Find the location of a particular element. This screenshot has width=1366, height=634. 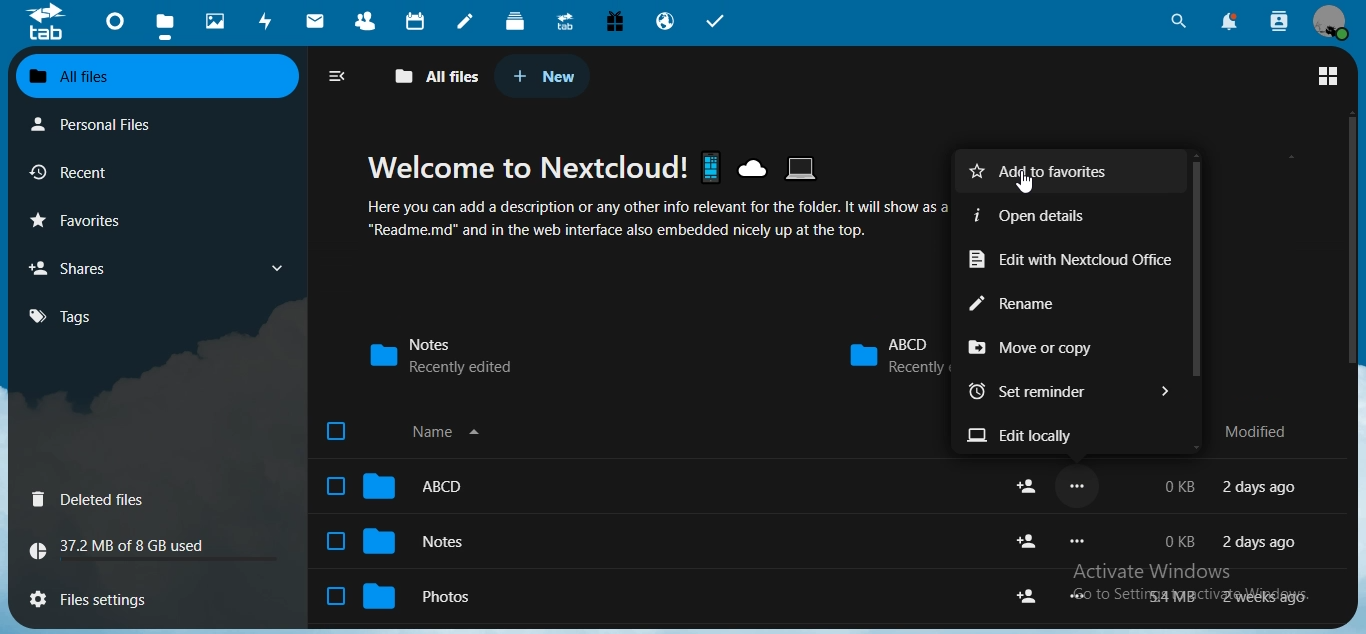

personal files is located at coordinates (93, 125).